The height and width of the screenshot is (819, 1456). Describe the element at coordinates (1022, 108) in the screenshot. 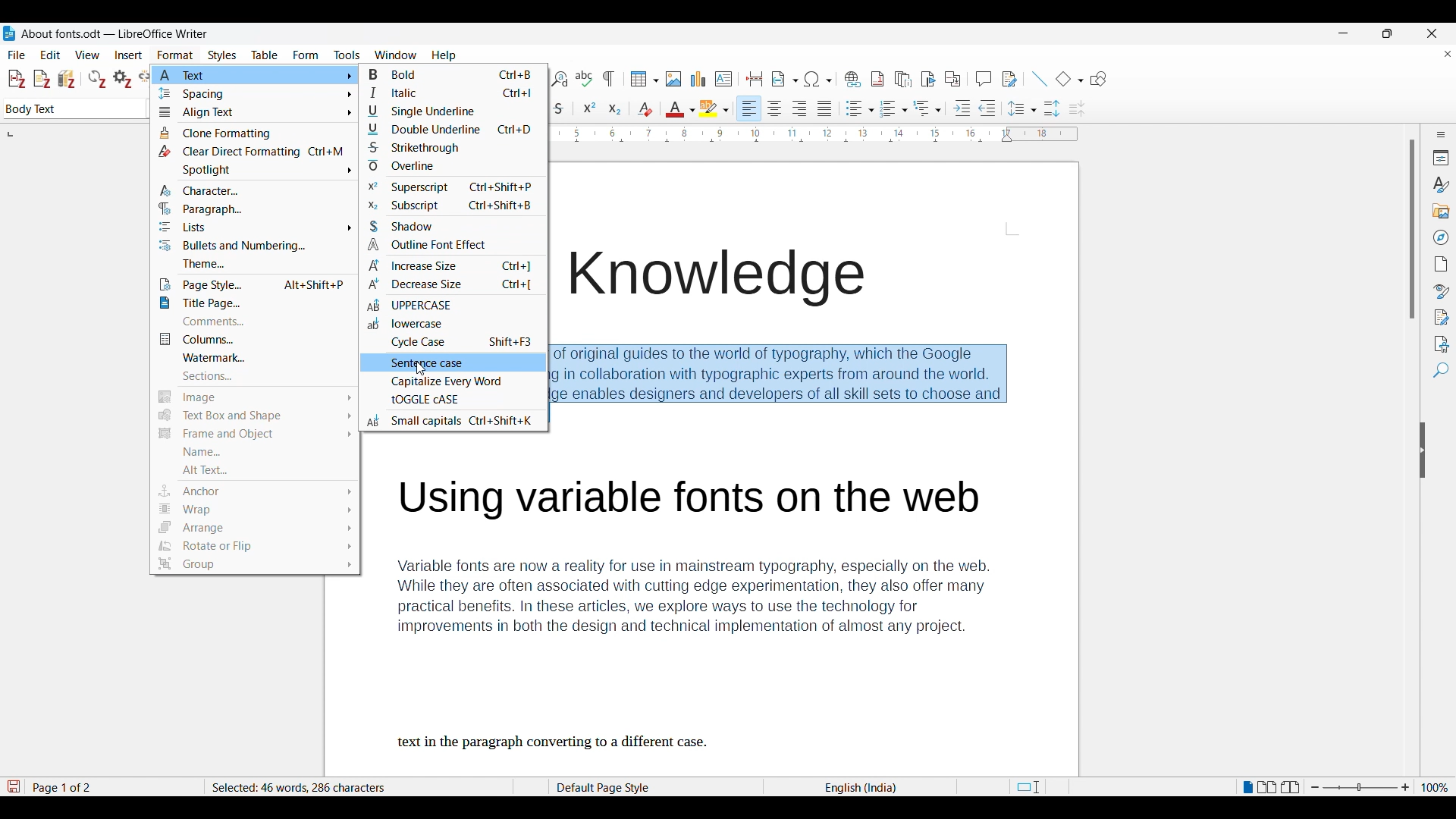

I see `Set line spacing options` at that location.